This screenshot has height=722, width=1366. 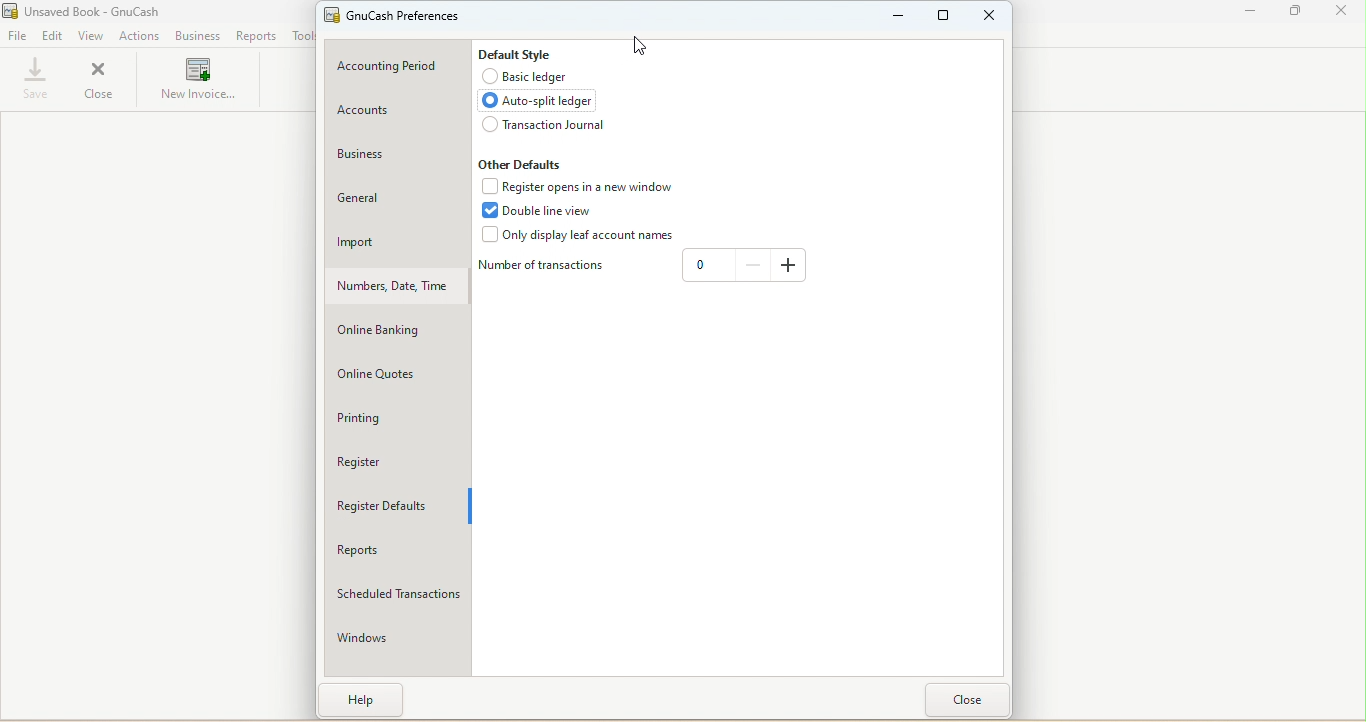 I want to click on Cursor, so click(x=635, y=46).